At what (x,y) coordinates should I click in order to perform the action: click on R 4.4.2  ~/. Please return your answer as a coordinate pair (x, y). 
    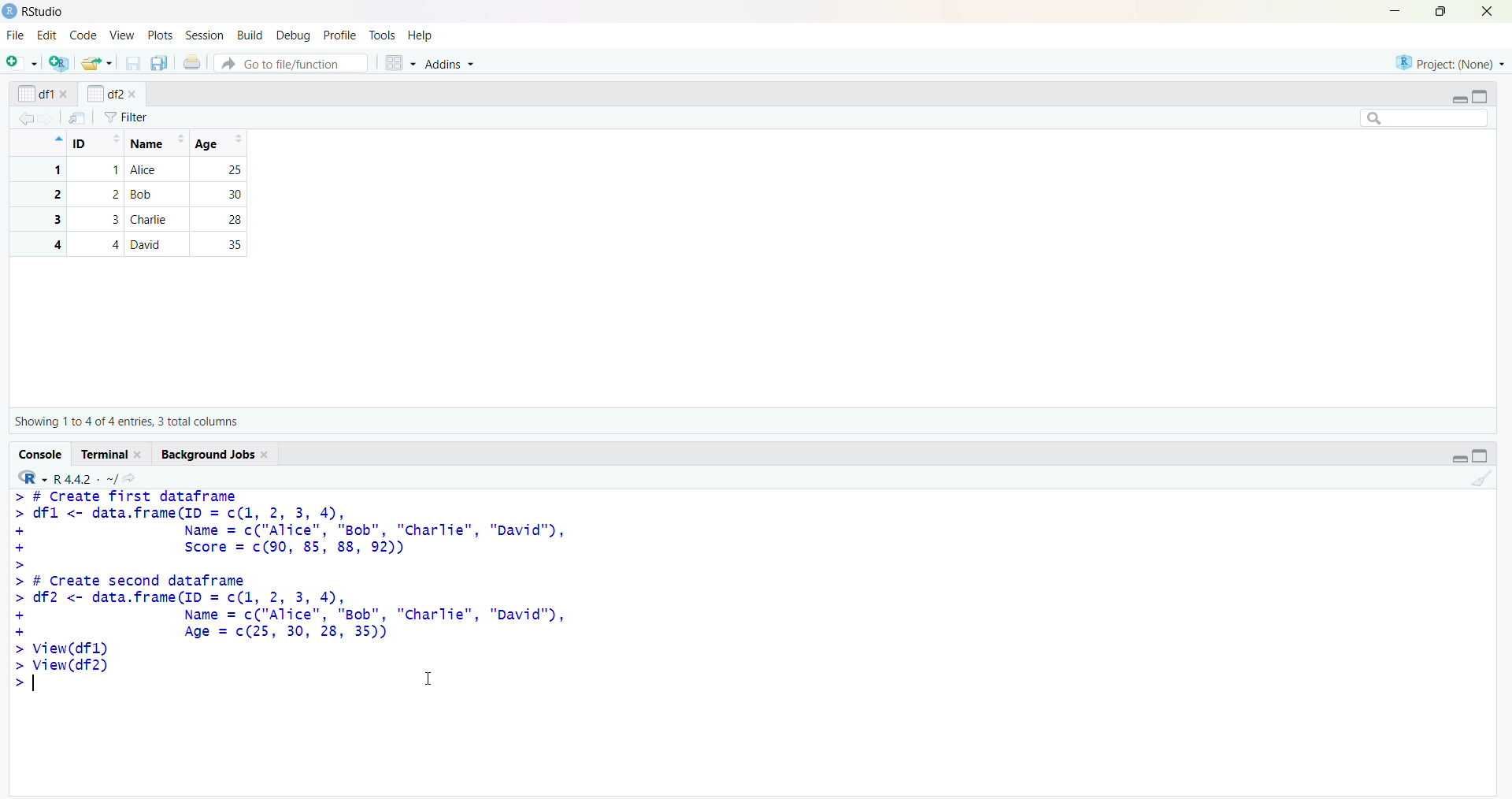
    Looking at the image, I should click on (85, 479).